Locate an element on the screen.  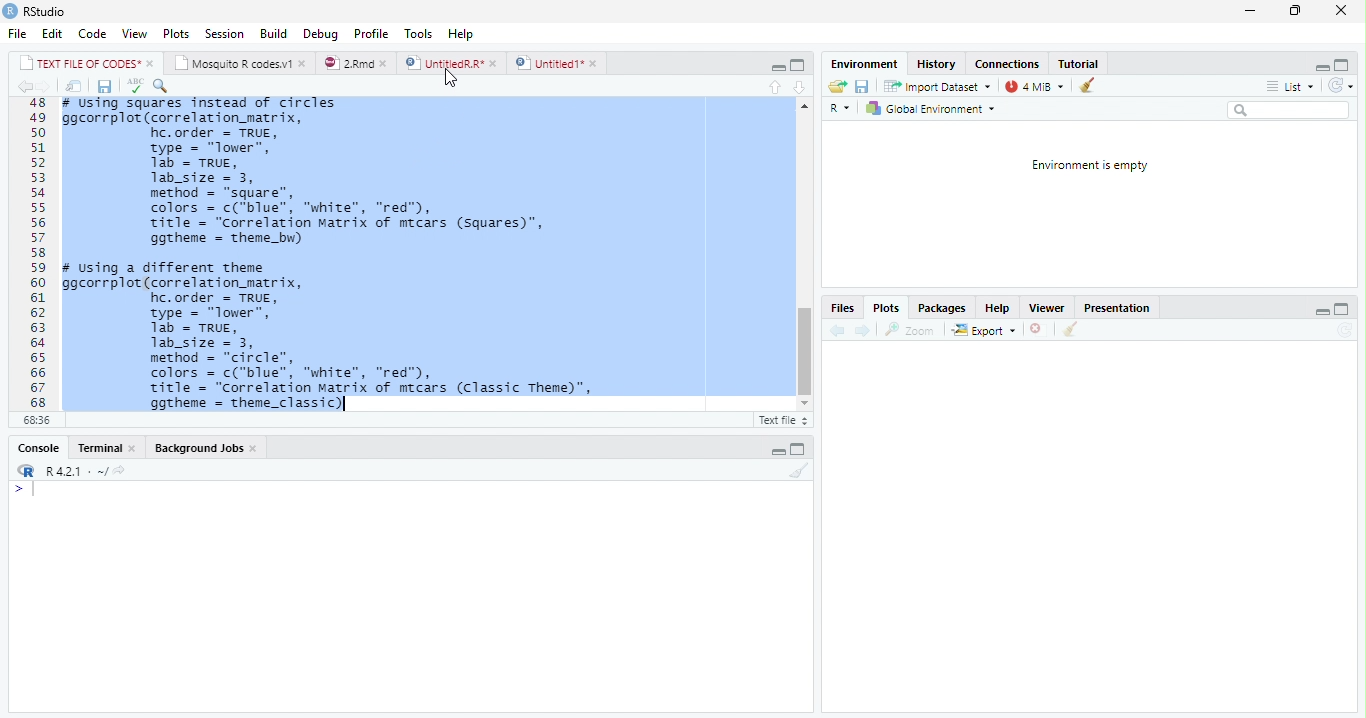
clear current plot is located at coordinates (1034, 330).